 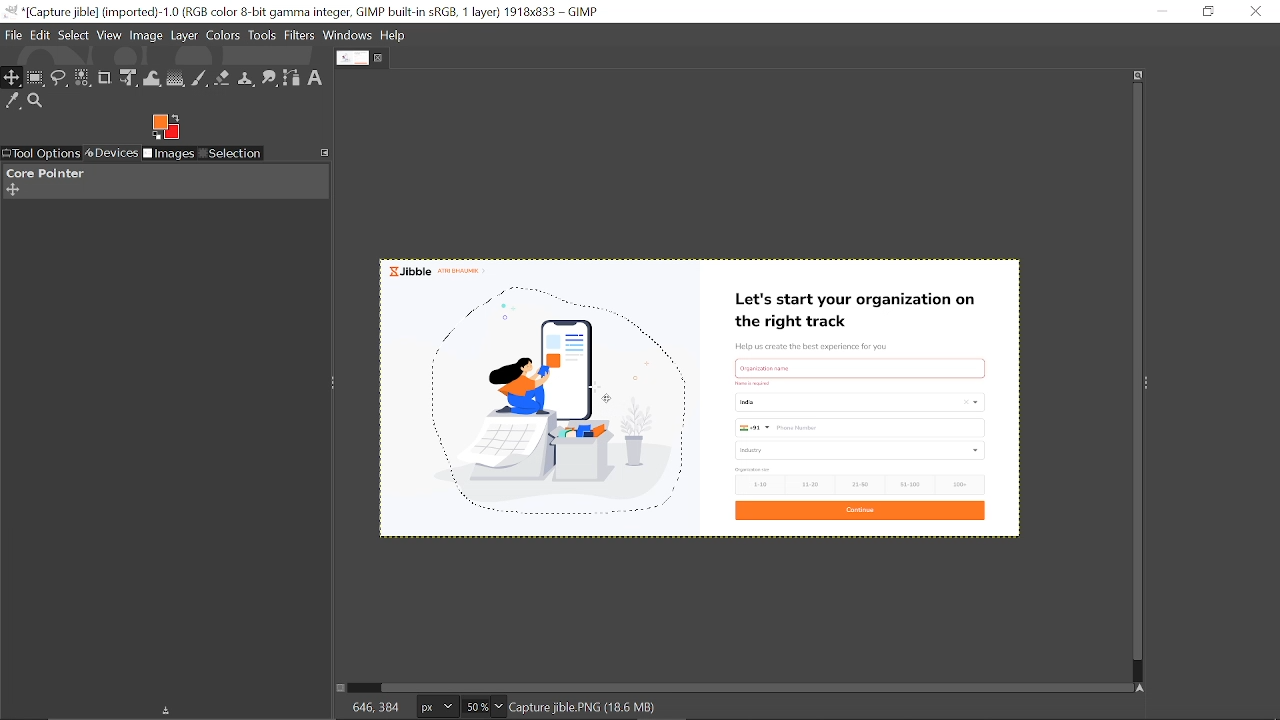 What do you see at coordinates (12, 78) in the screenshot?
I see `Move tool` at bounding box center [12, 78].